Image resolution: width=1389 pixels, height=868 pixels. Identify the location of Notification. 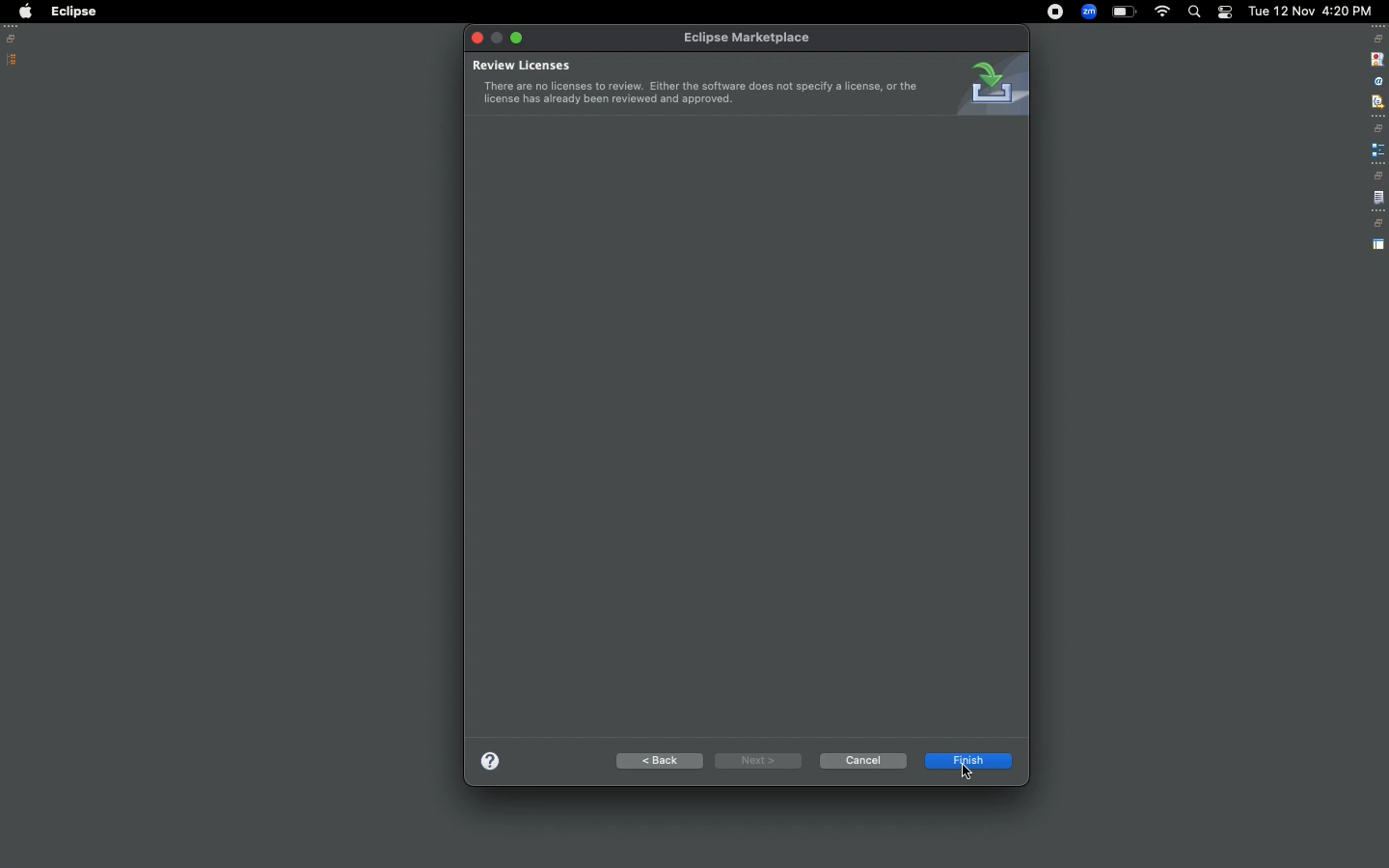
(1224, 13).